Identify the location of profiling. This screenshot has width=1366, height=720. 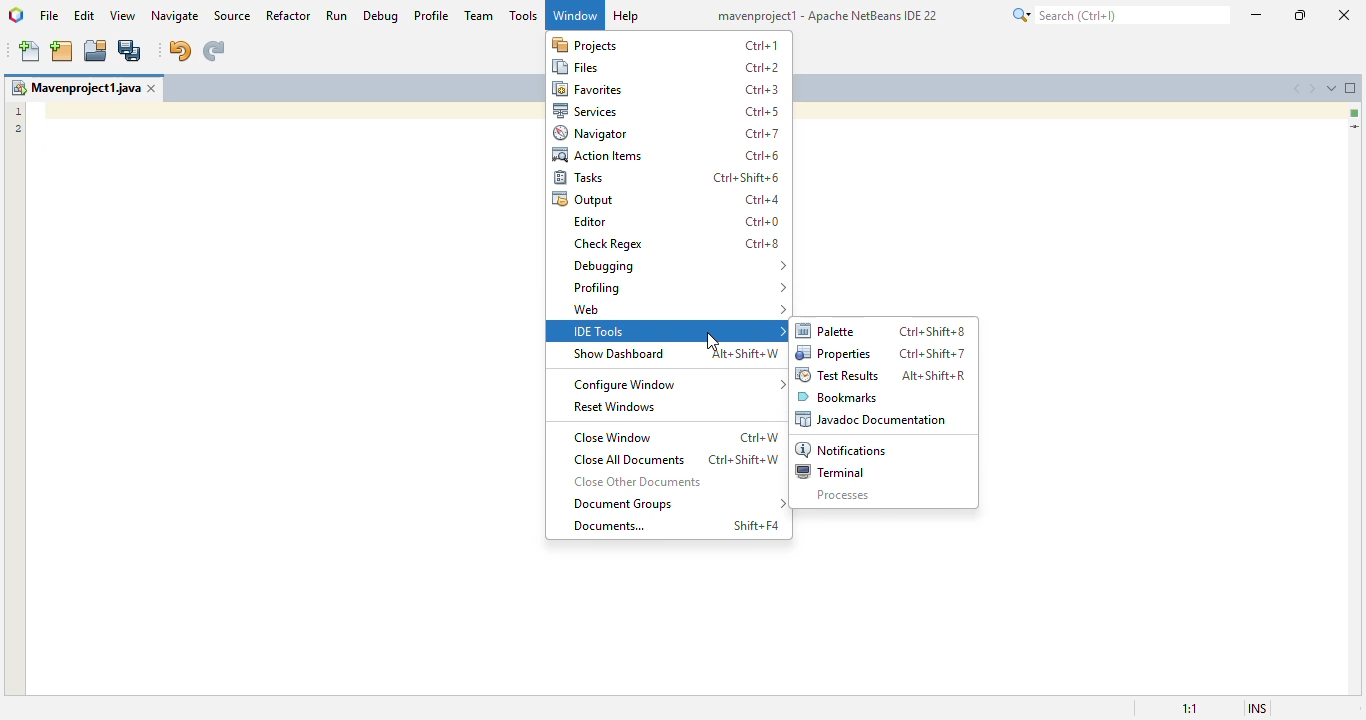
(680, 287).